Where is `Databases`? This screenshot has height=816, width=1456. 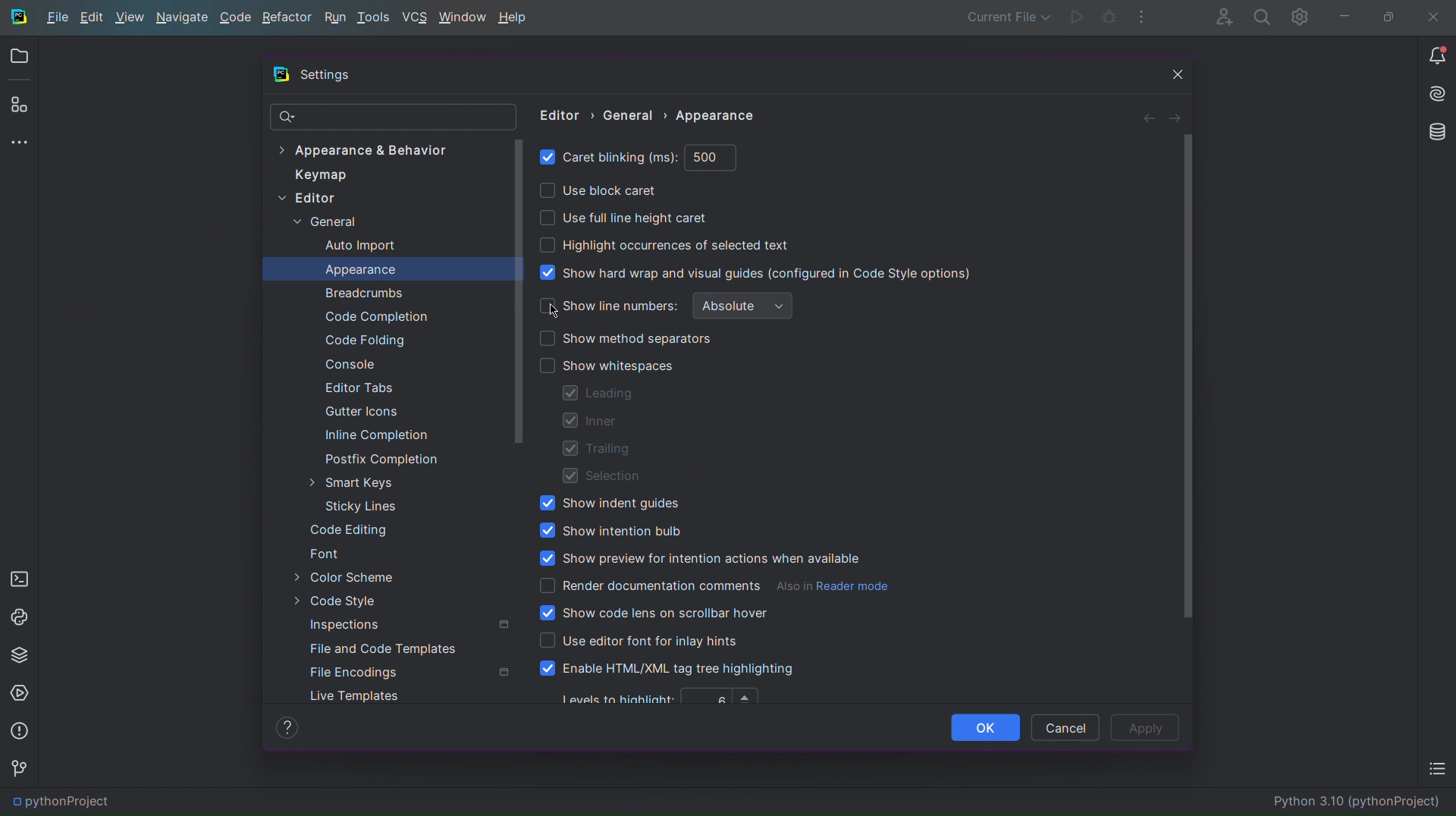 Databases is located at coordinates (1434, 132).